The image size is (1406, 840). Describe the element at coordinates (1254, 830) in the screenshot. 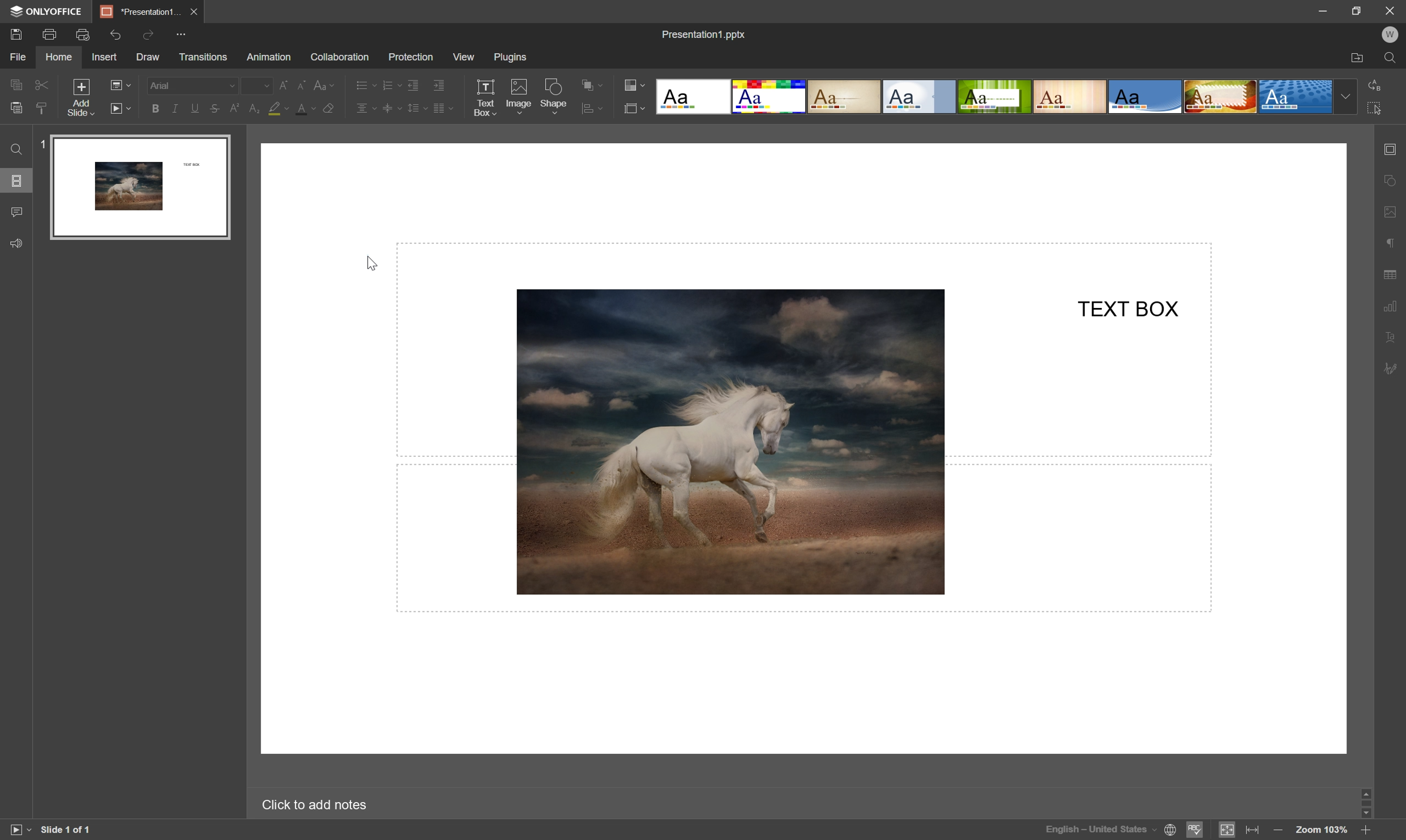

I see `fit to width` at that location.